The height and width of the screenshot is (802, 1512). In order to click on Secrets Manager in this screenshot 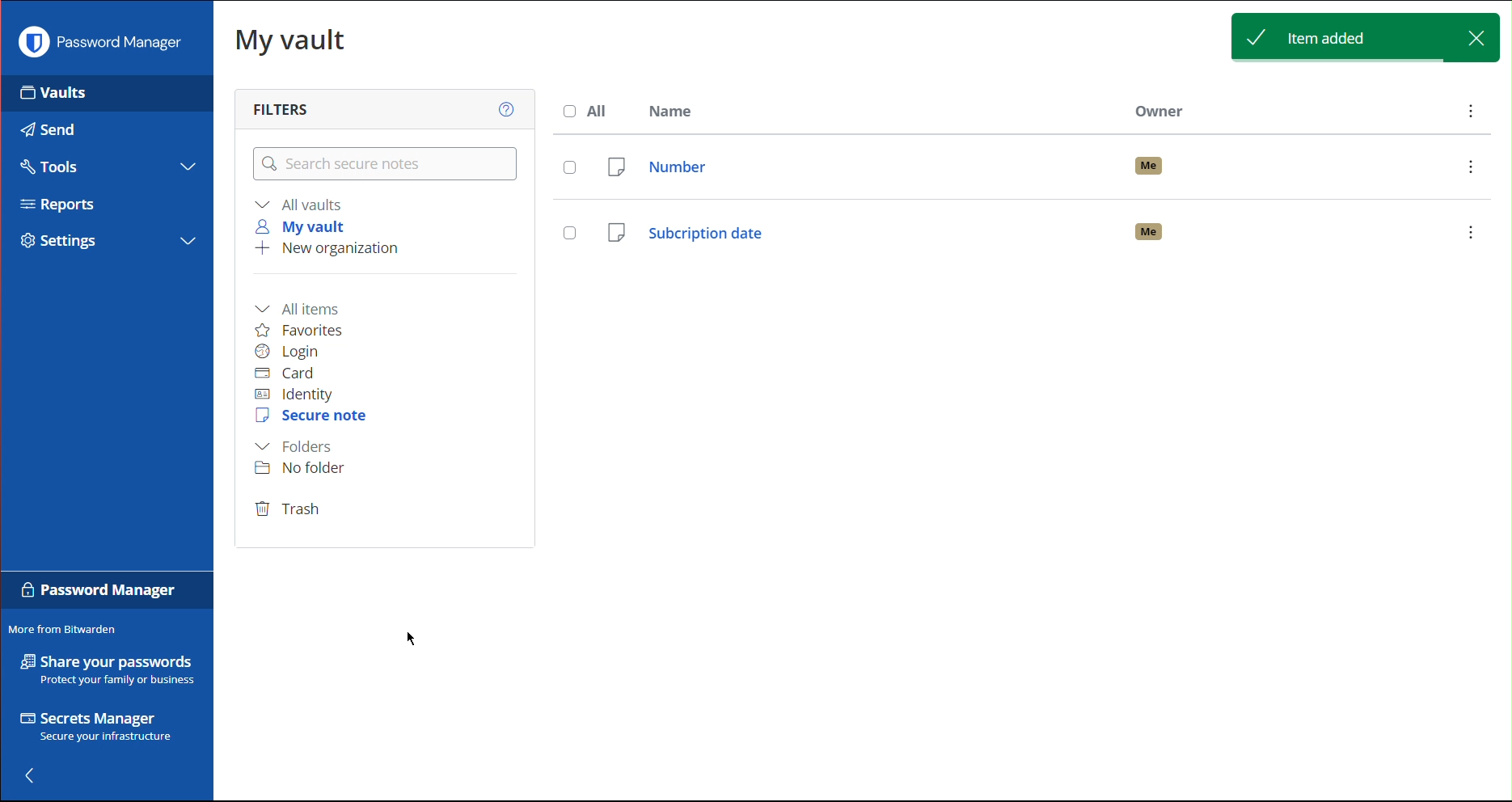, I will do `click(102, 728)`.